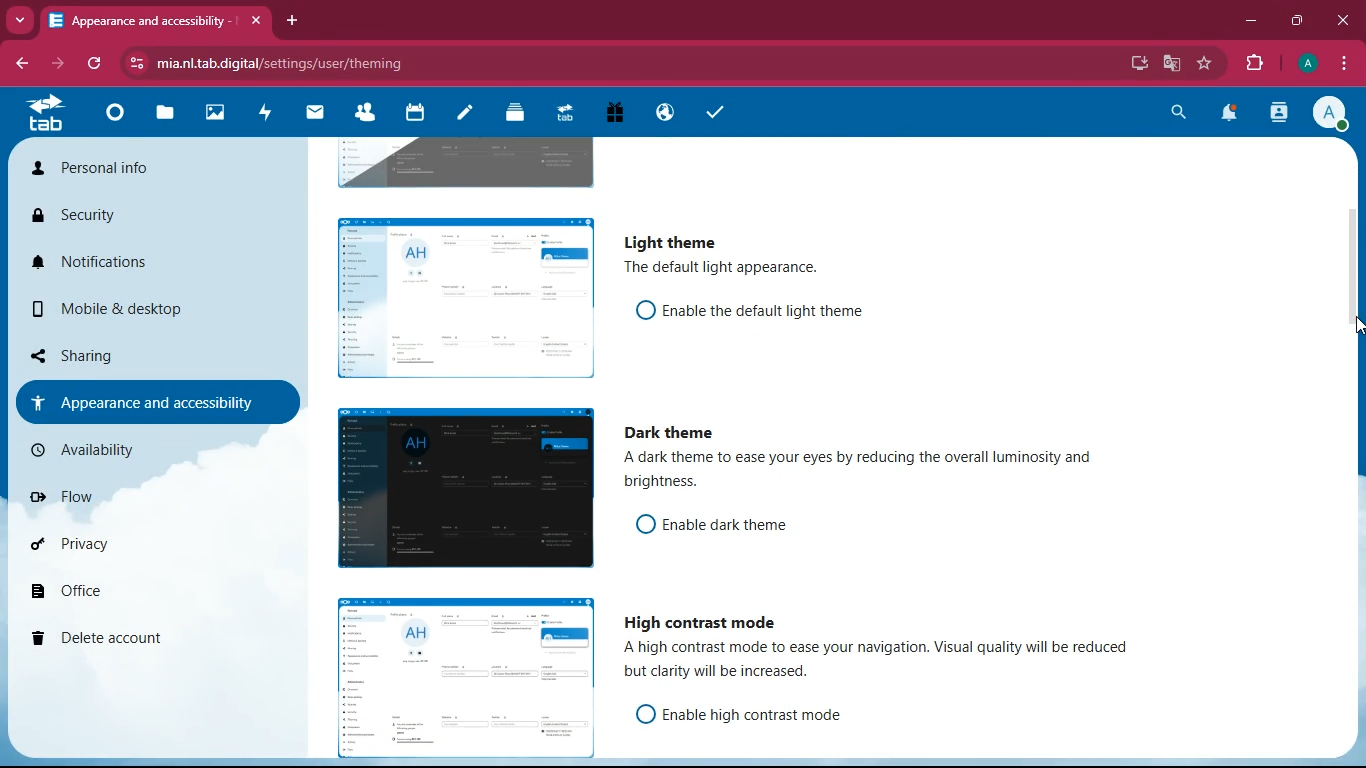 The width and height of the screenshot is (1366, 768). What do you see at coordinates (1253, 24) in the screenshot?
I see `minimize` at bounding box center [1253, 24].